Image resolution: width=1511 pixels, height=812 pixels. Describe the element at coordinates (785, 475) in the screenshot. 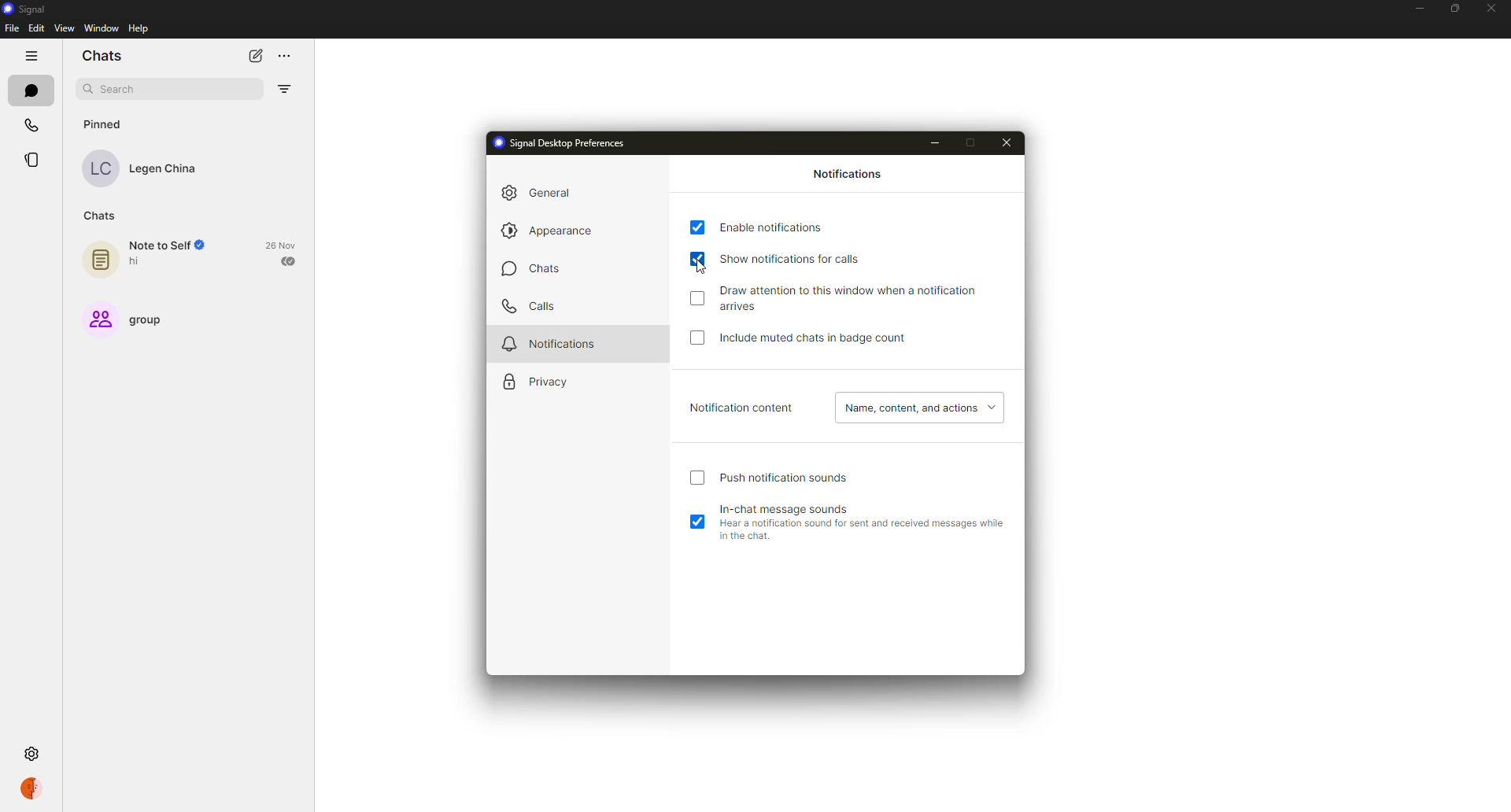

I see `push notification sound` at that location.